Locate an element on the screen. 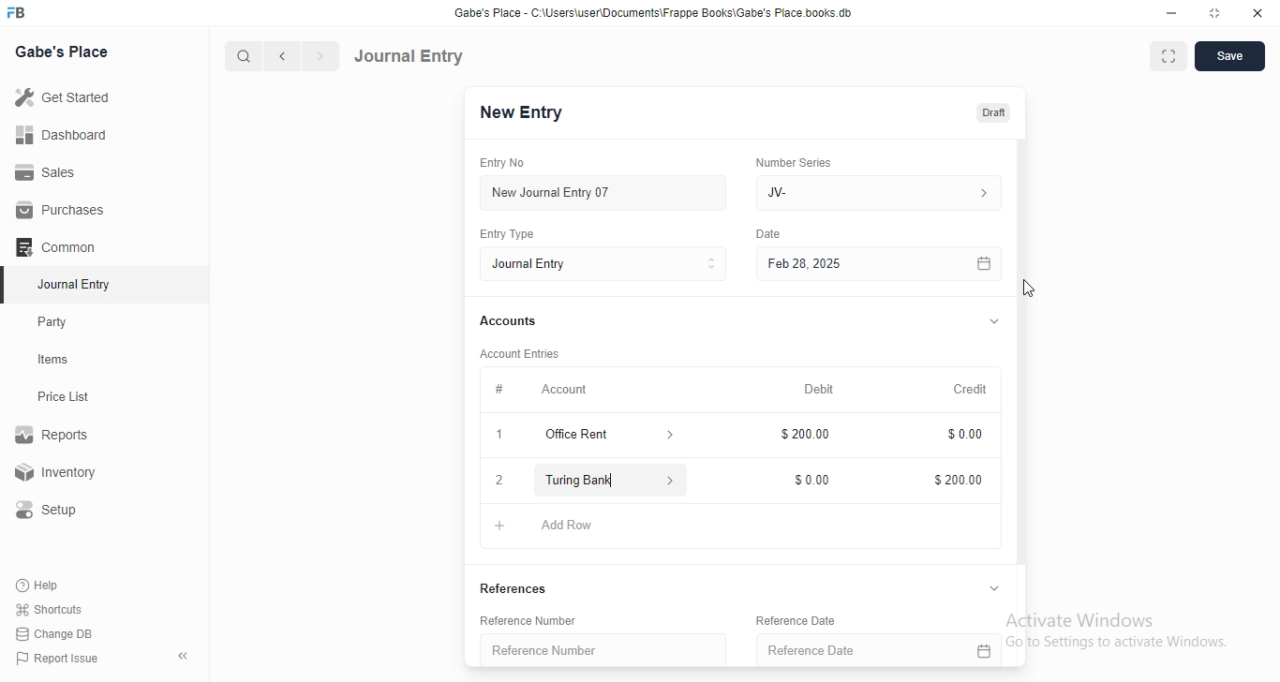 This screenshot has height=682, width=1280. Help is located at coordinates (41, 585).